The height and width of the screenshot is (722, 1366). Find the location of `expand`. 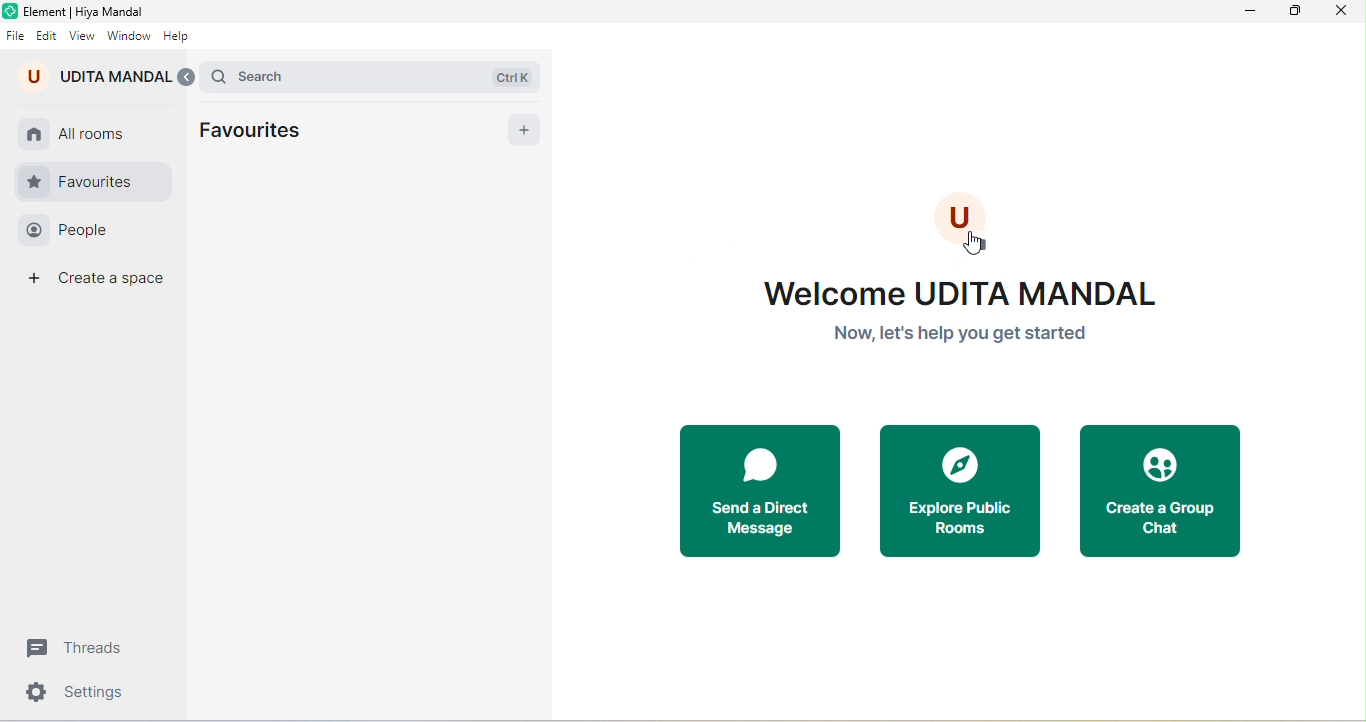

expand is located at coordinates (186, 77).